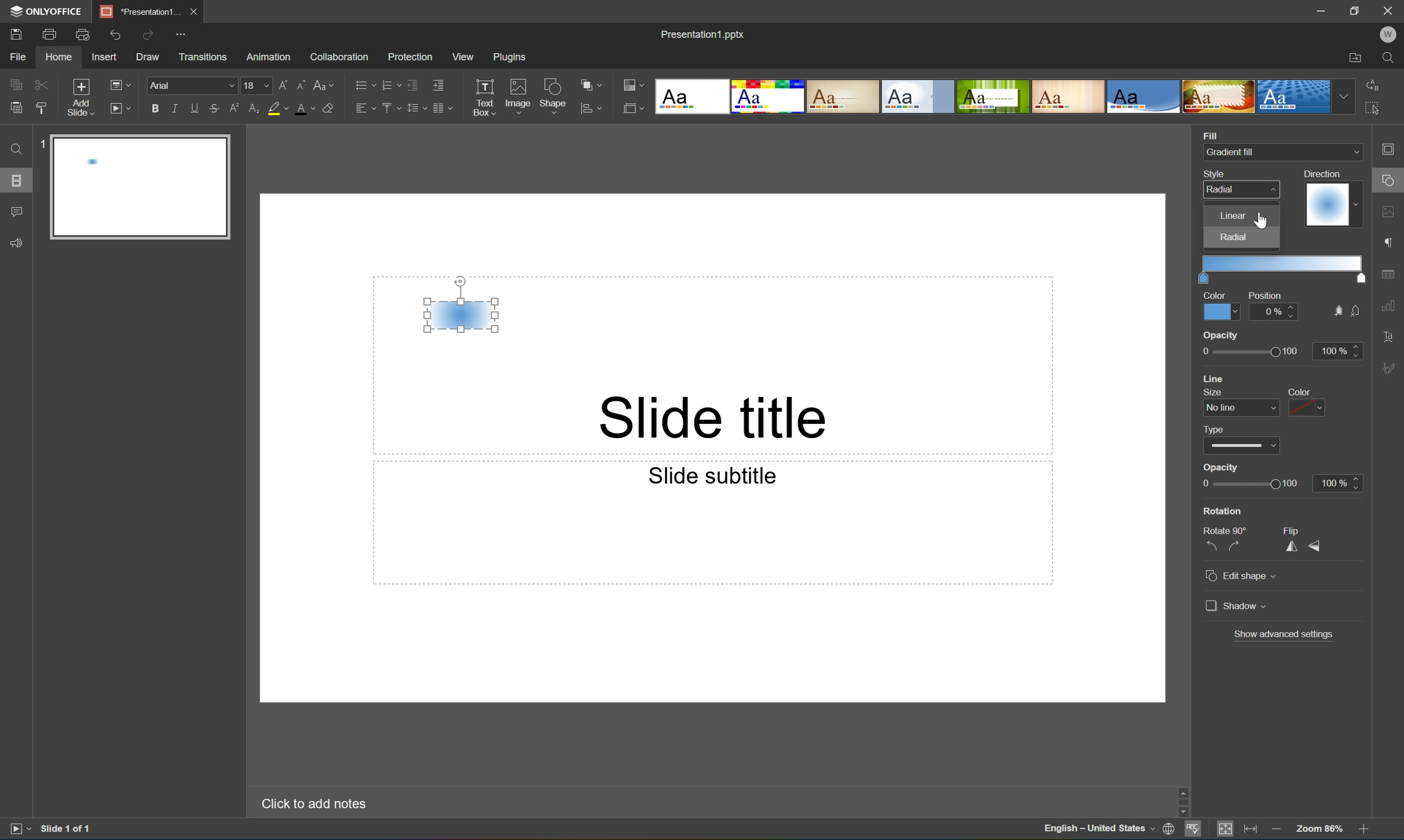 This screenshot has height=840, width=1404. Describe the element at coordinates (1355, 59) in the screenshot. I see `Open file location` at that location.